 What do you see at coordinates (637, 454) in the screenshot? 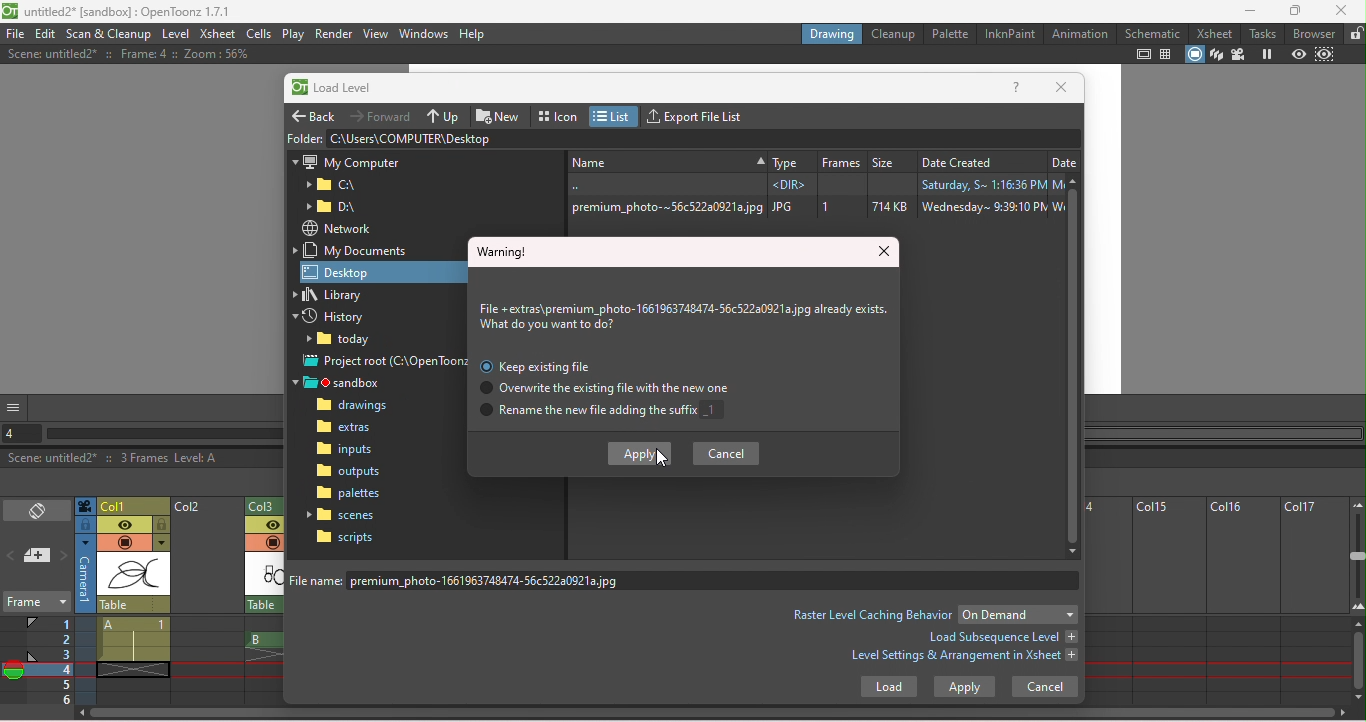
I see `Apply` at bounding box center [637, 454].